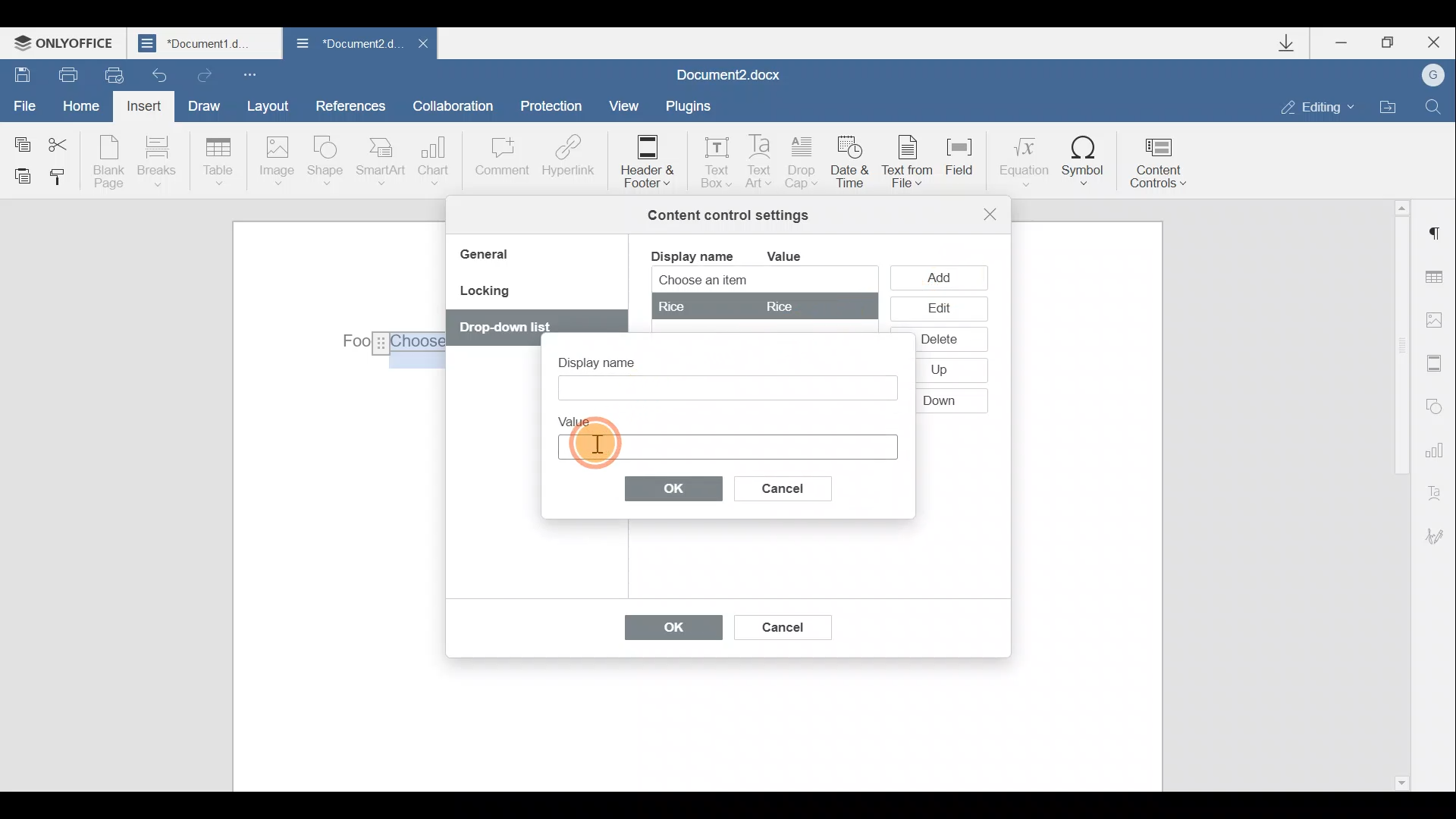 Image resolution: width=1456 pixels, height=819 pixels. Describe the element at coordinates (1348, 45) in the screenshot. I see `Minimize` at that location.